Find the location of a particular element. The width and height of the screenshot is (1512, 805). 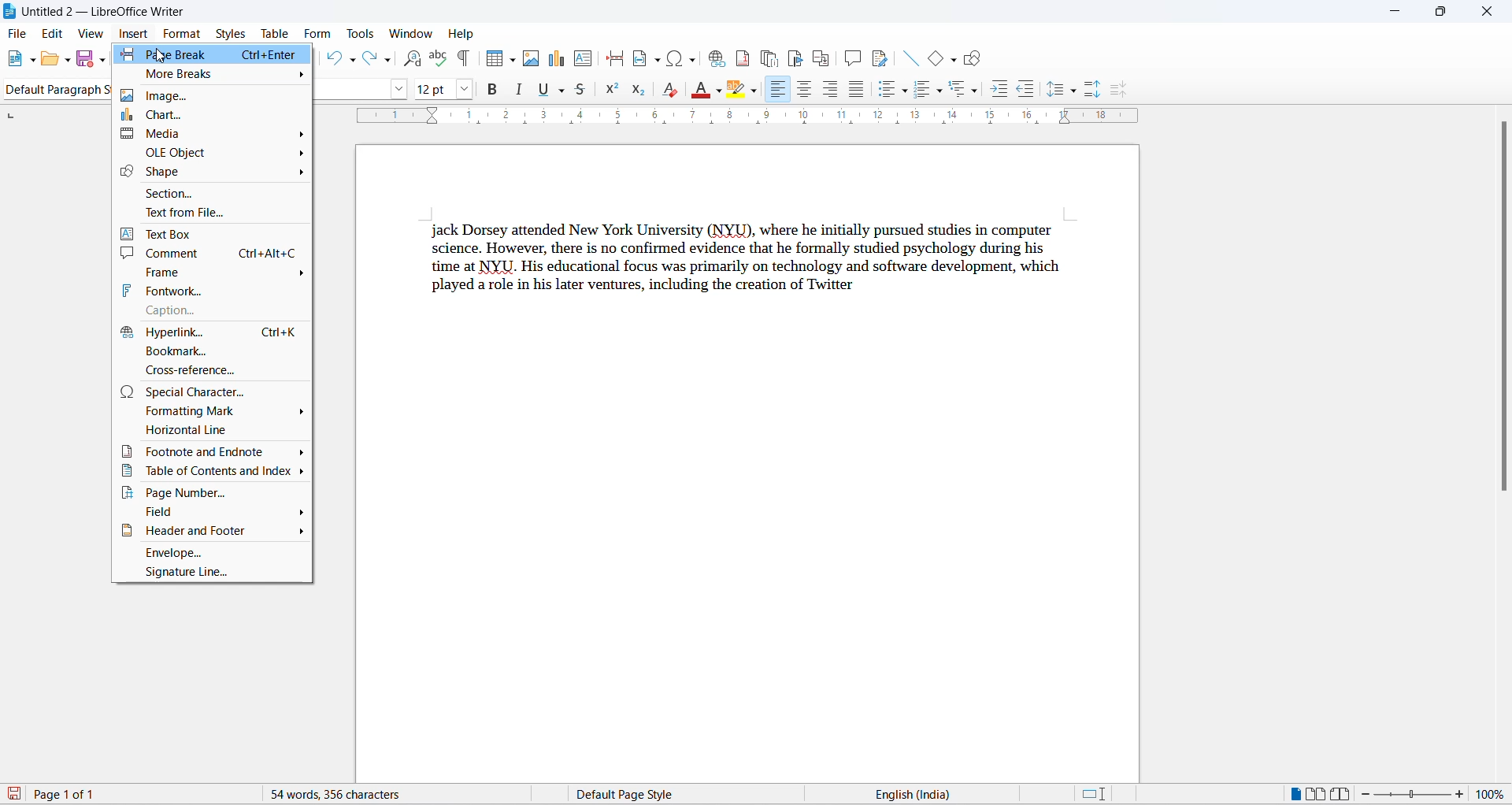

cross-reference is located at coordinates (213, 369).